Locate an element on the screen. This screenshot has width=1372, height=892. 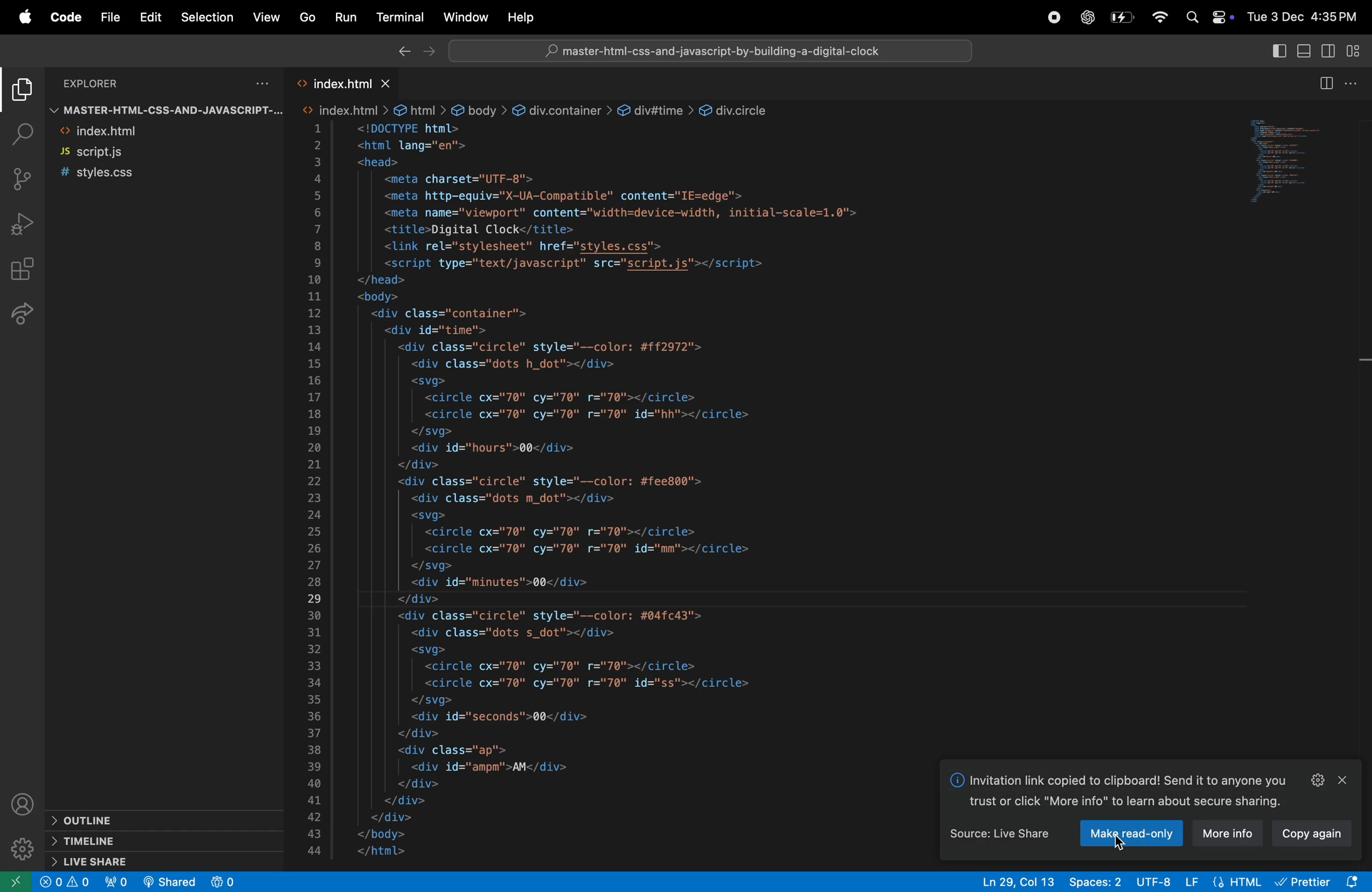
setting is located at coordinates (19, 851).